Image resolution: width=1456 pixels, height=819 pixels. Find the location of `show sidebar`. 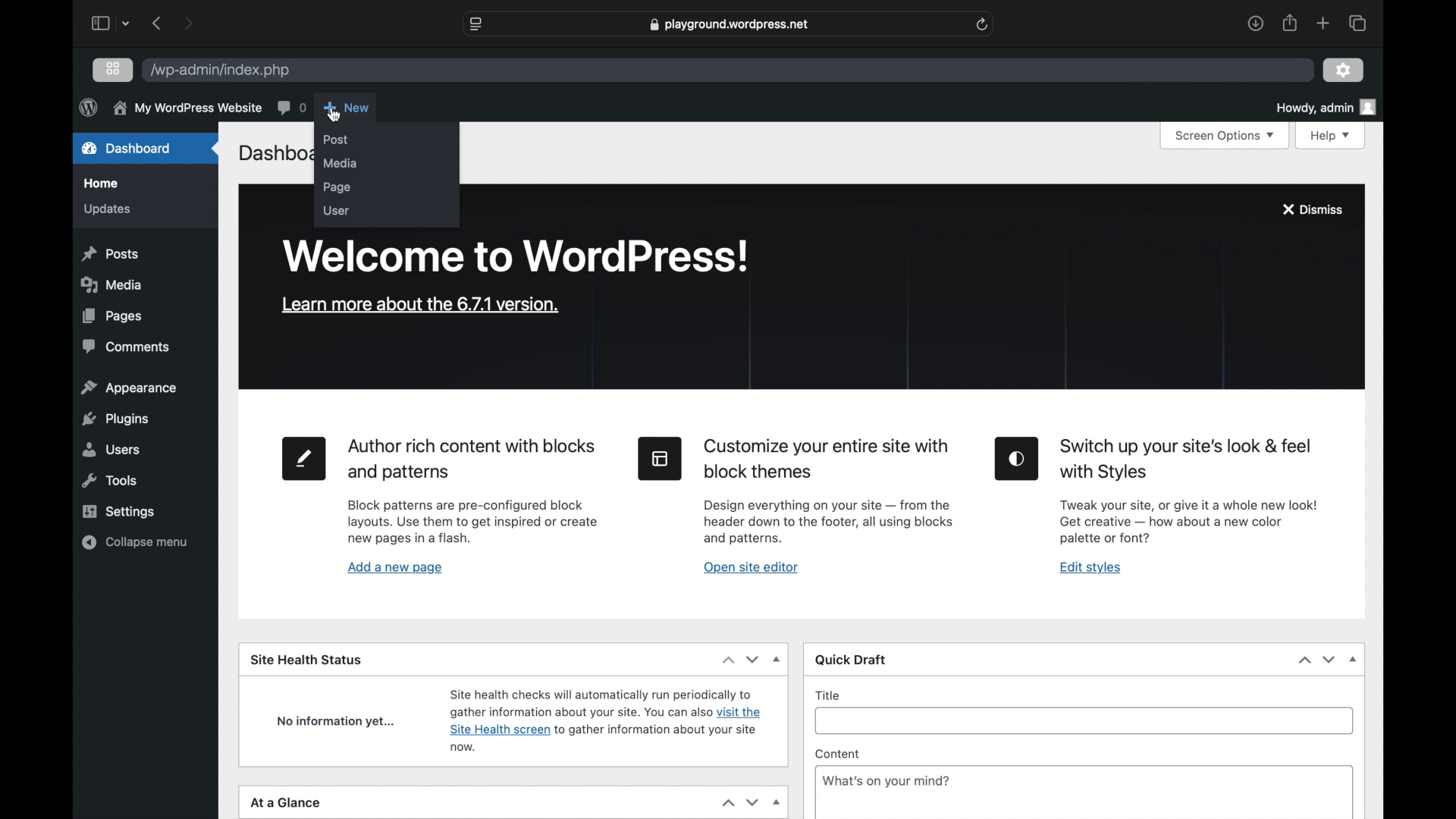

show sidebar is located at coordinates (100, 23).